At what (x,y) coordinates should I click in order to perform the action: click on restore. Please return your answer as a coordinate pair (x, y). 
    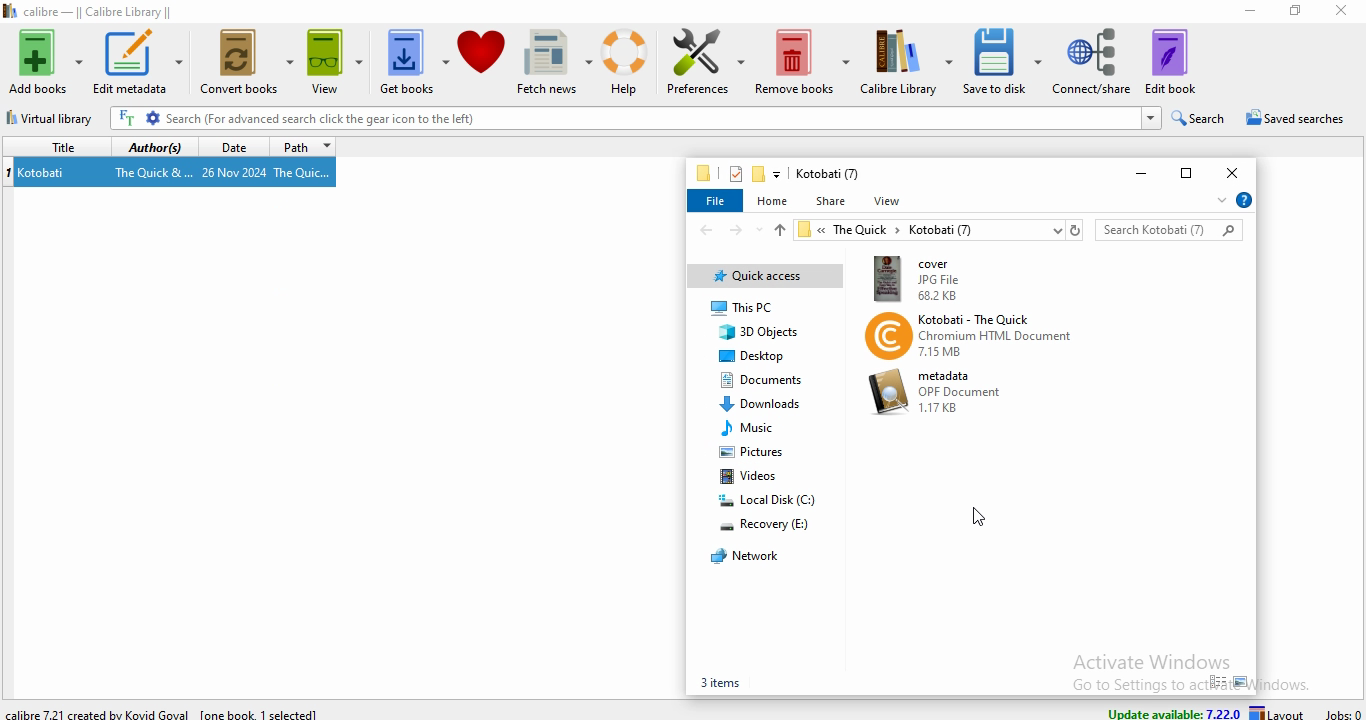
    Looking at the image, I should click on (1292, 10).